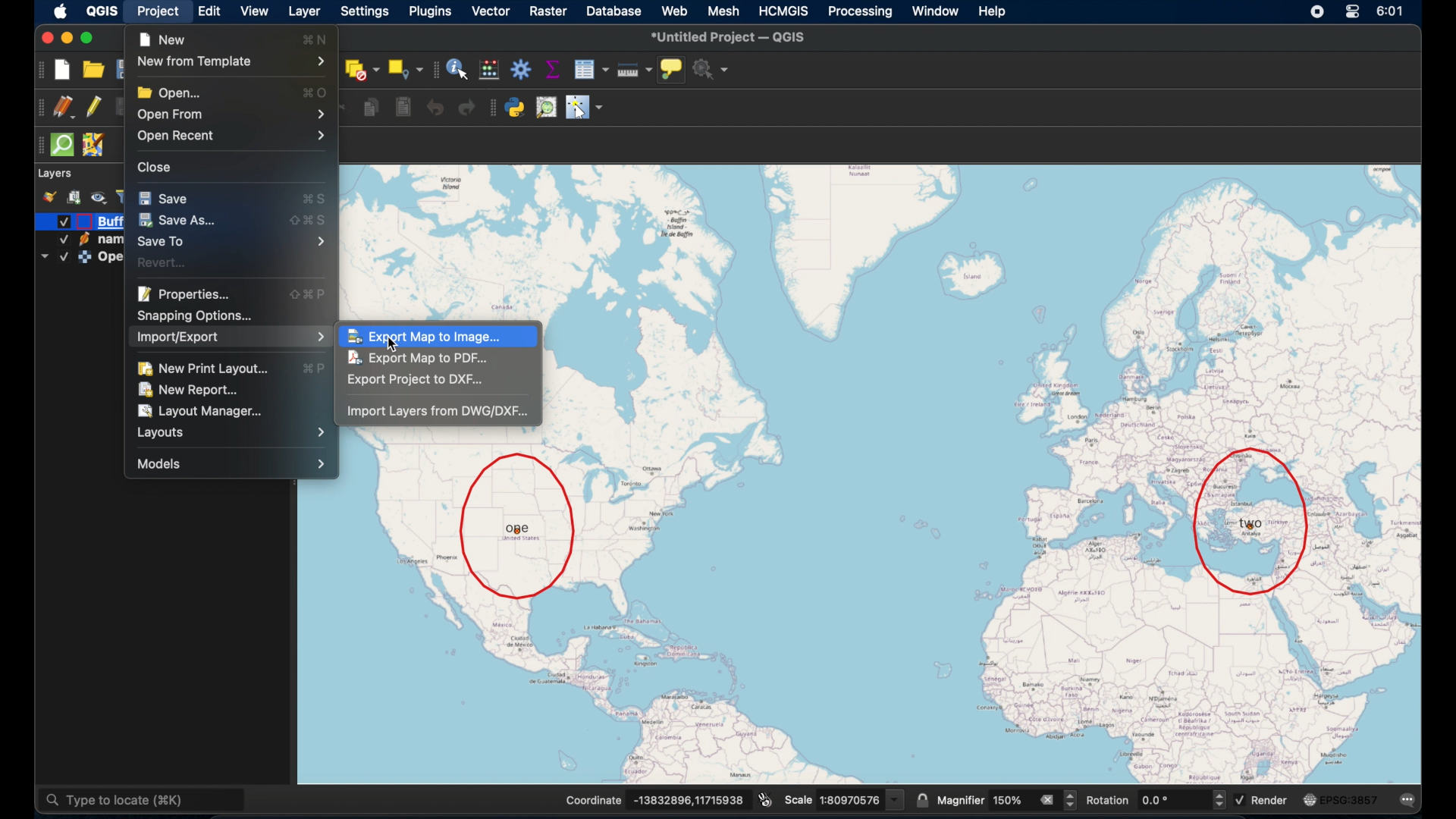  I want to click on toggle extents and position mouse display, so click(764, 797).